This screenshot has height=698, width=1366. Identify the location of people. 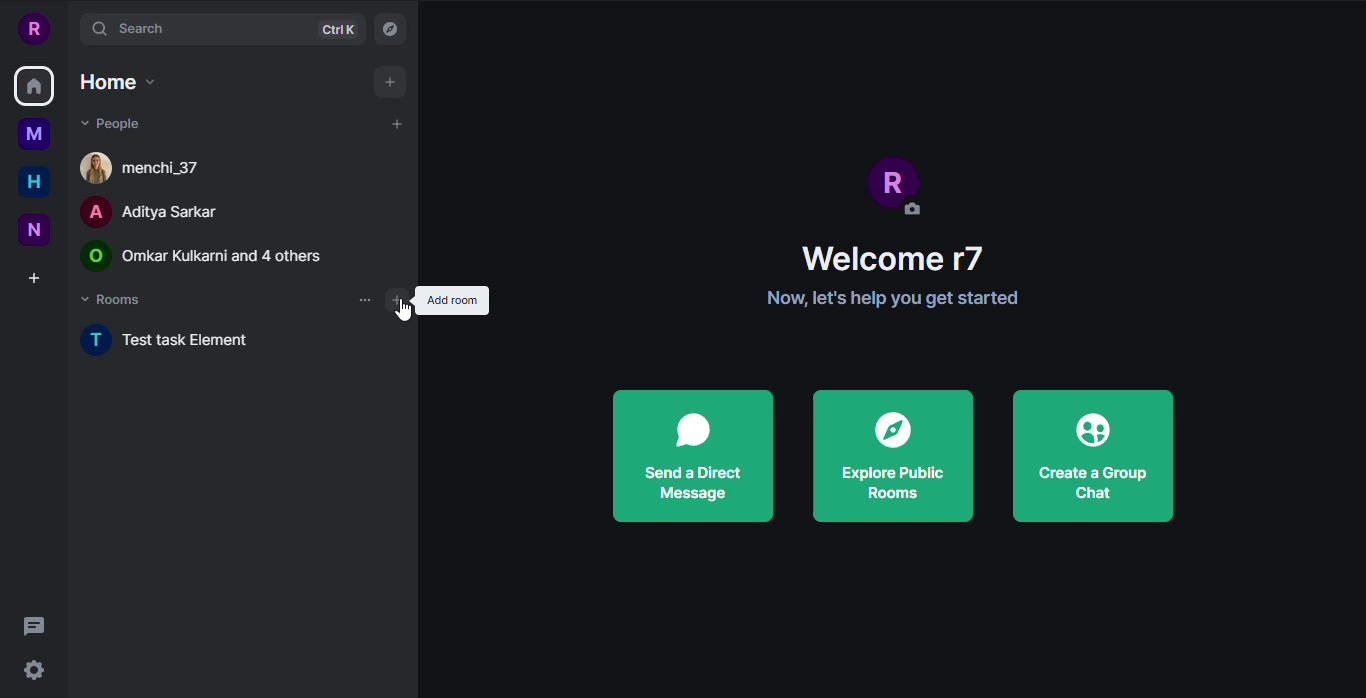
(207, 255).